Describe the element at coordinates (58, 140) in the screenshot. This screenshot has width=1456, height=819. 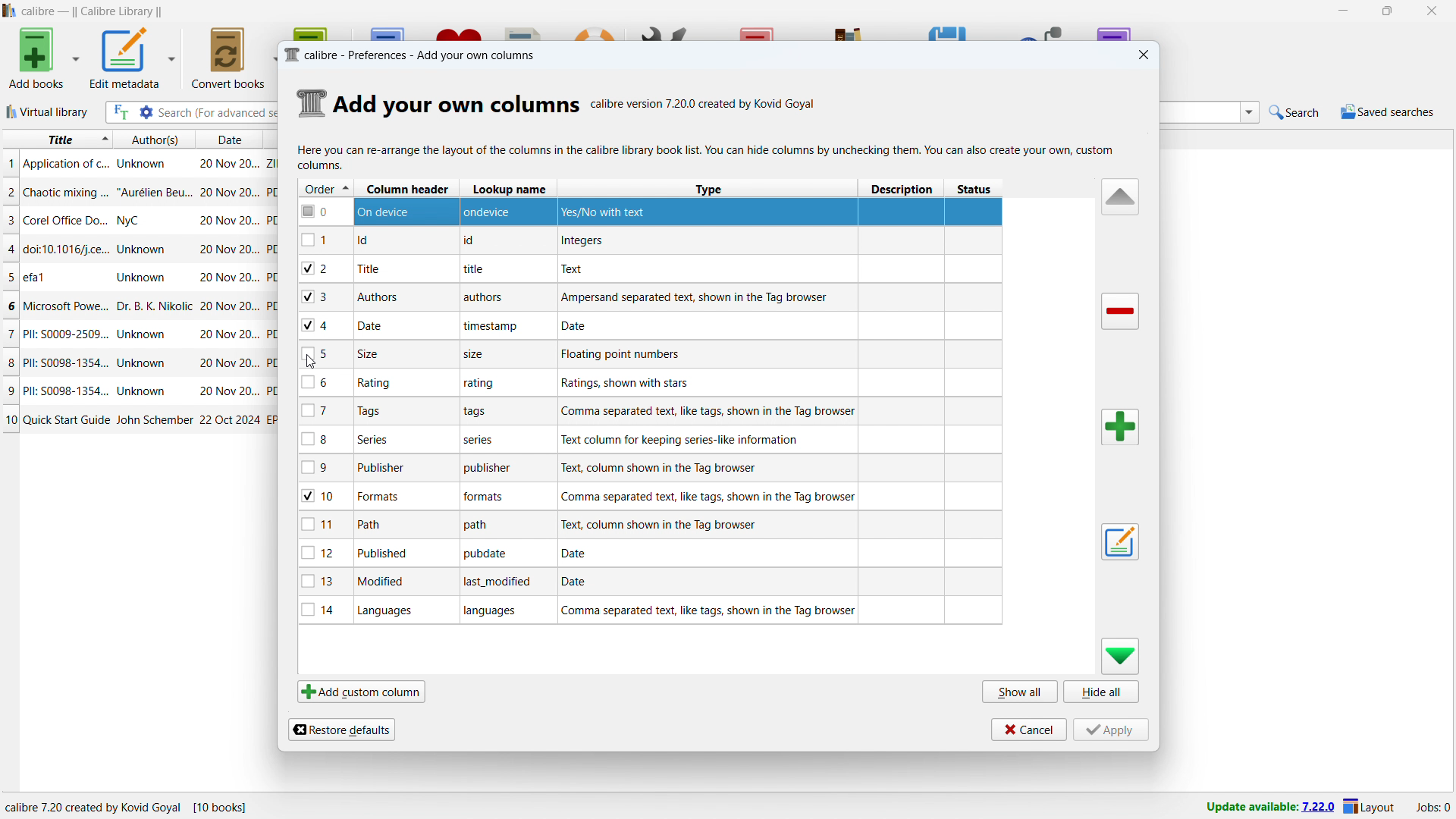
I see `sort by title` at that location.